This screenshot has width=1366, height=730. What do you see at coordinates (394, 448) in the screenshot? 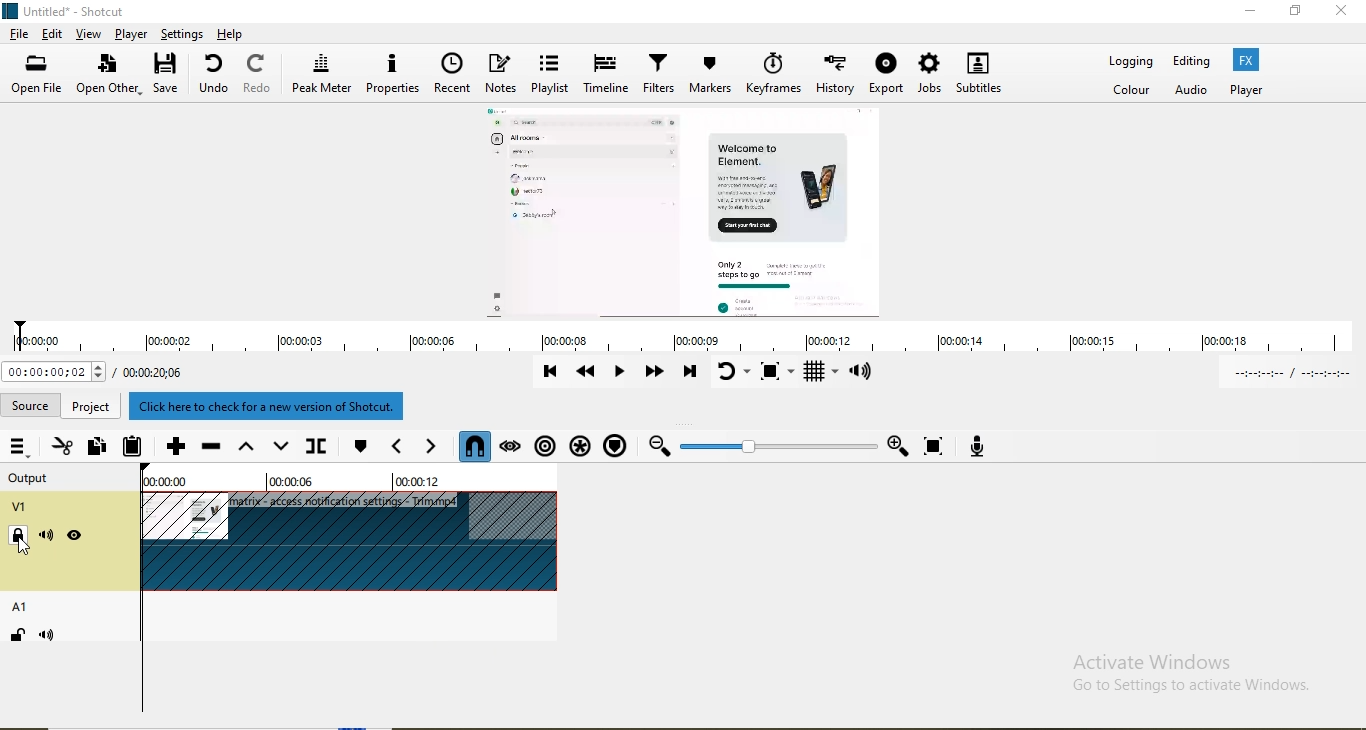
I see `Previous marker` at bounding box center [394, 448].